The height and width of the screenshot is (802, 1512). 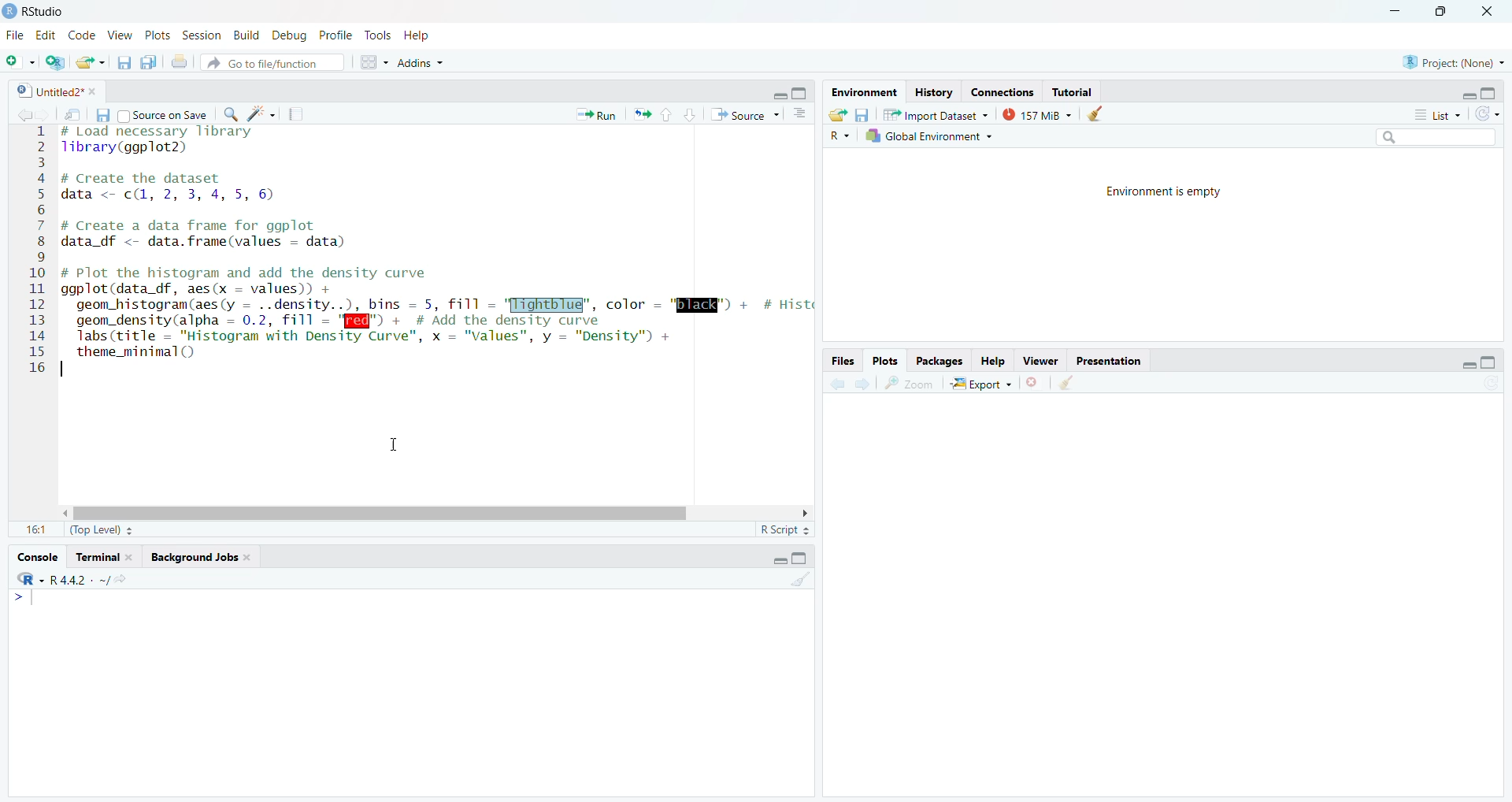 What do you see at coordinates (69, 511) in the screenshot?
I see `move left` at bounding box center [69, 511].